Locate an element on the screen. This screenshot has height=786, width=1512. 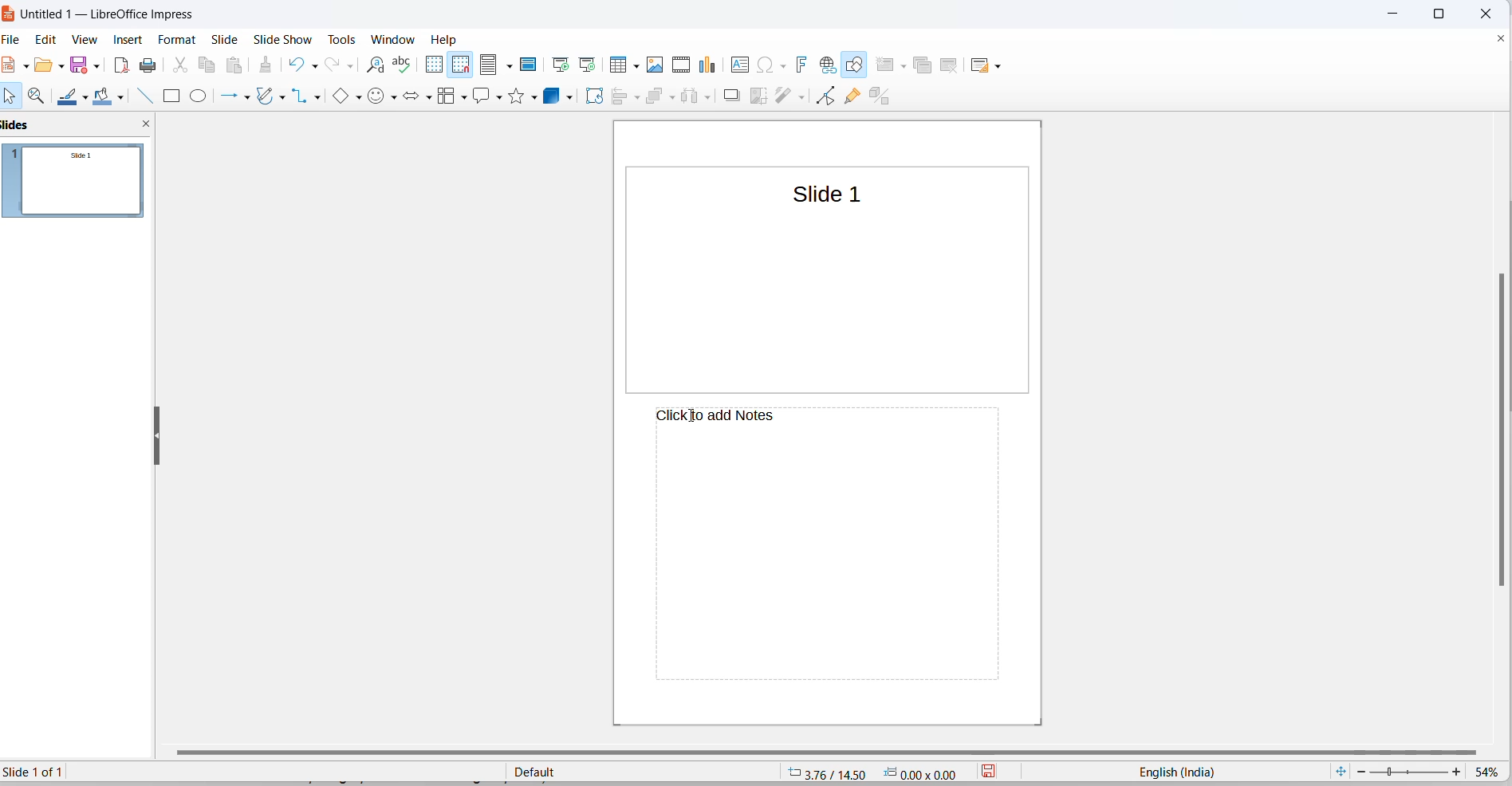
edit is located at coordinates (49, 39).